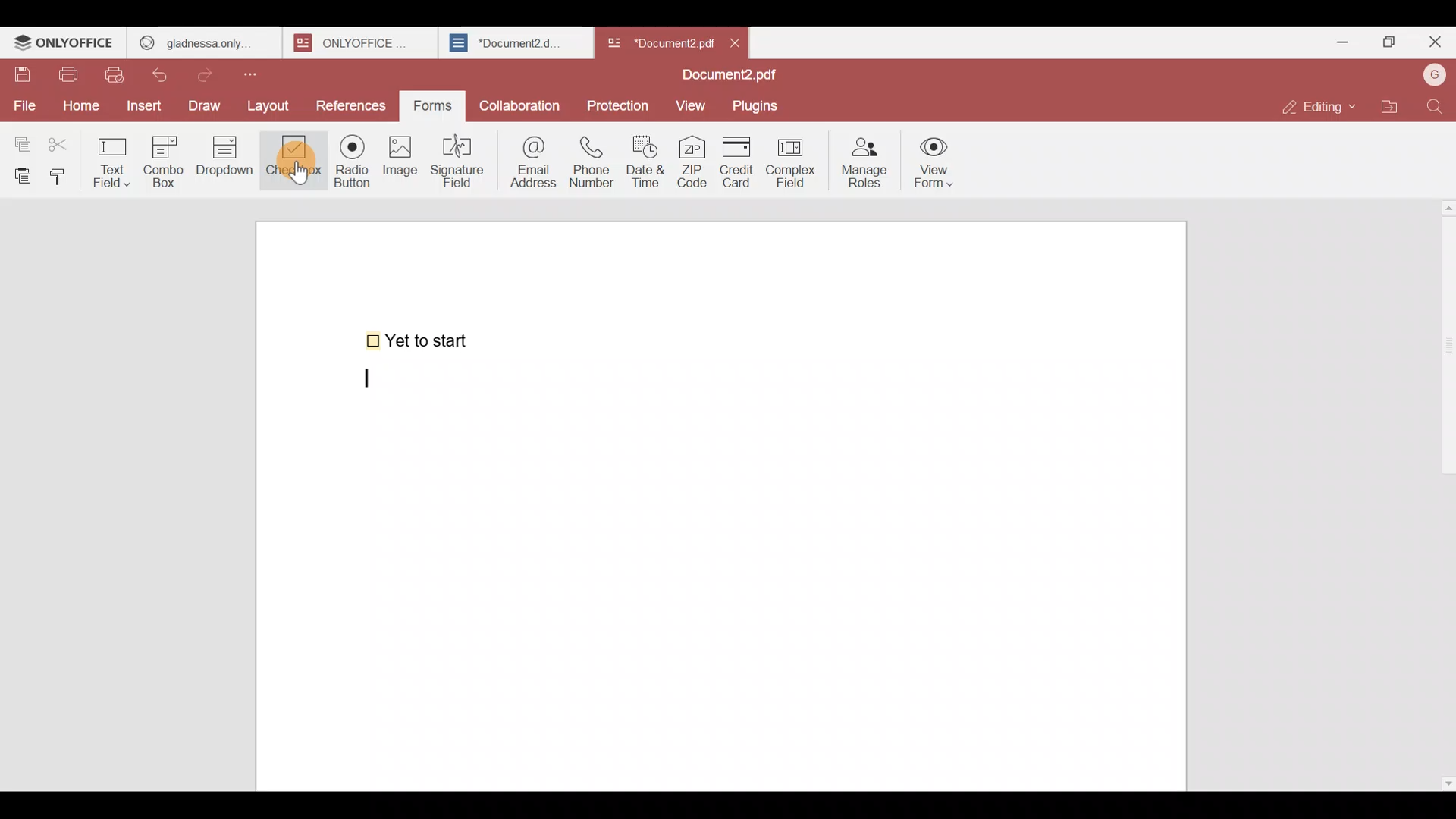 This screenshot has width=1456, height=819. What do you see at coordinates (1386, 41) in the screenshot?
I see `Maximize` at bounding box center [1386, 41].